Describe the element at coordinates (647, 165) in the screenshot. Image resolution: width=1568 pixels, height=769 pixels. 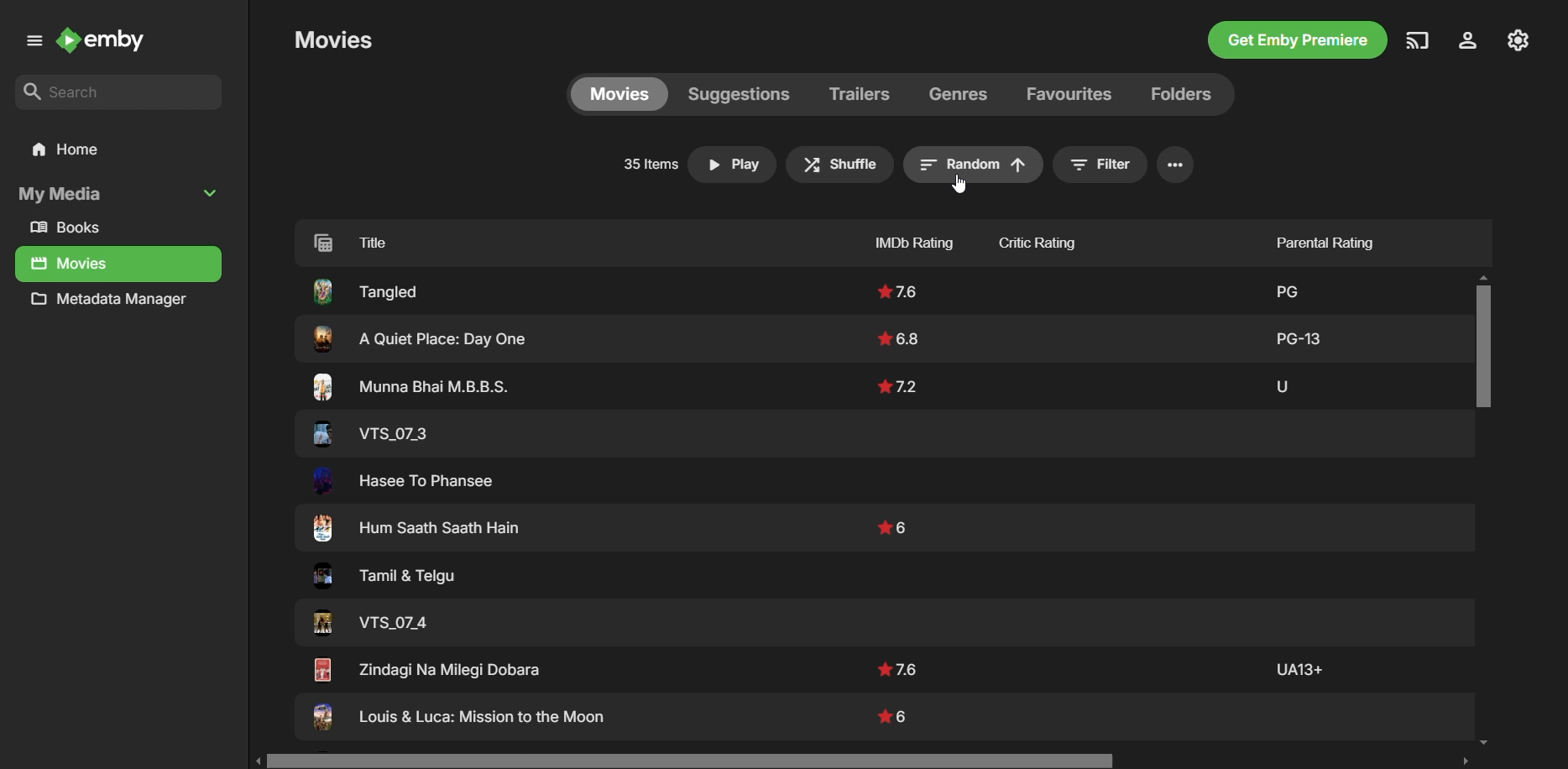
I see `Number of items` at that location.